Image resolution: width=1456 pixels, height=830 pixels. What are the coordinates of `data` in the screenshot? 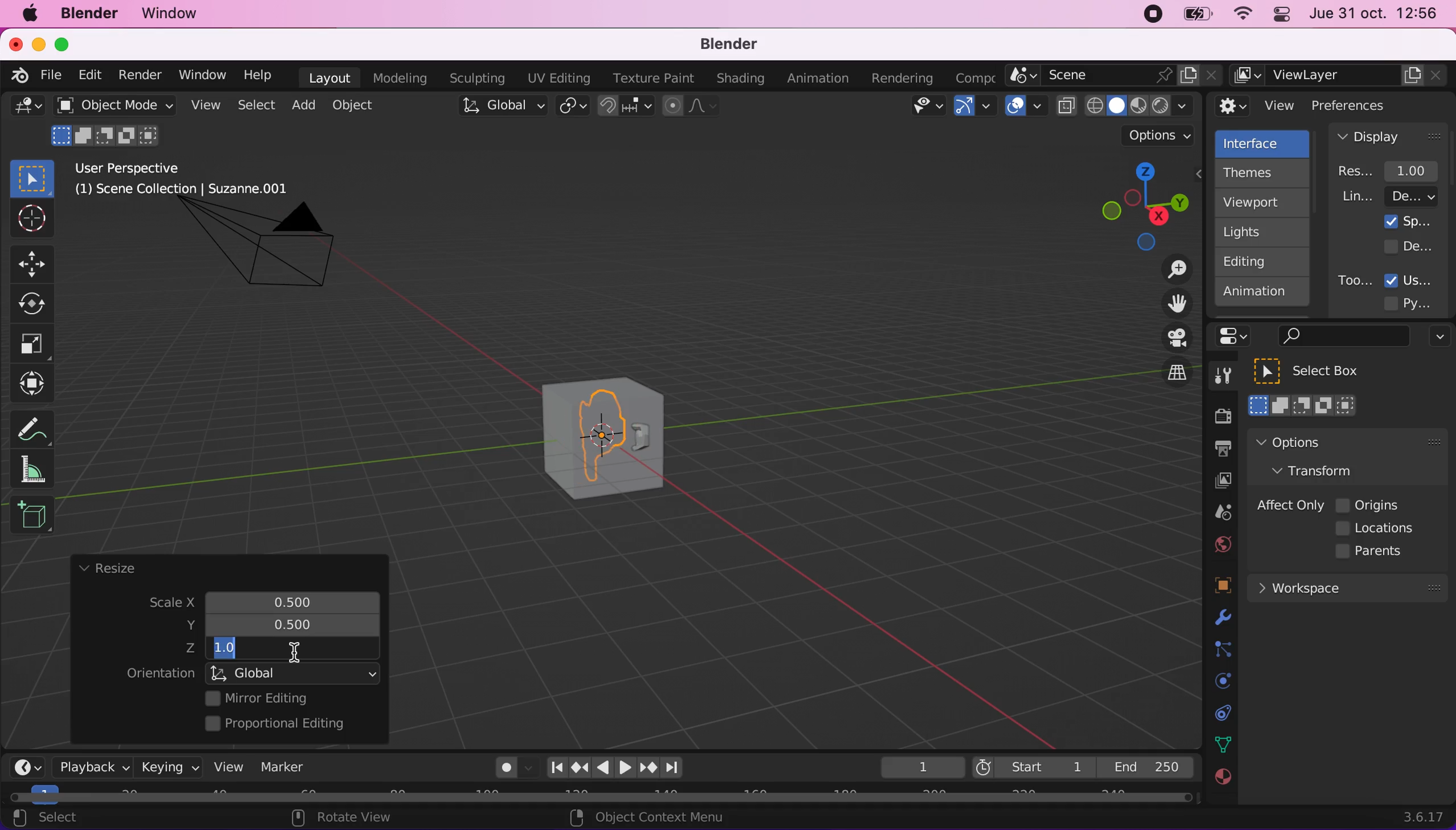 It's located at (1220, 743).